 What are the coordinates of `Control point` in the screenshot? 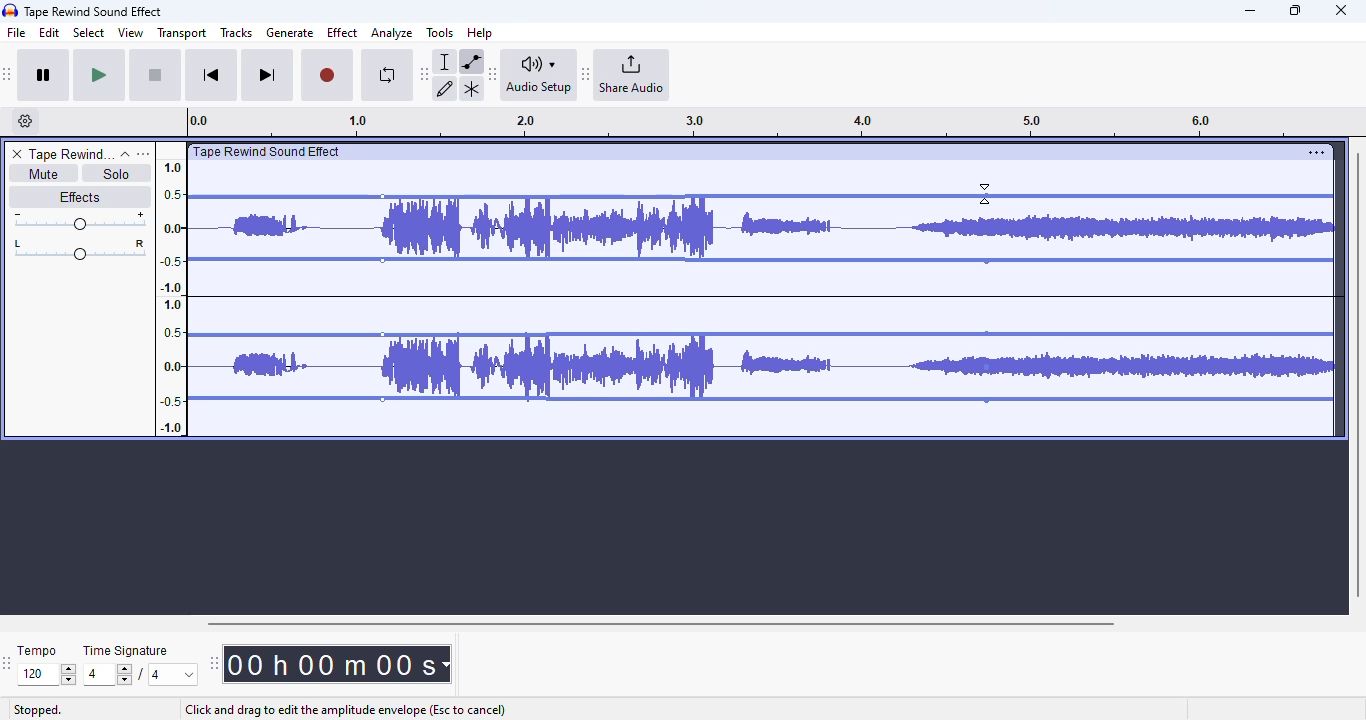 It's located at (382, 260).